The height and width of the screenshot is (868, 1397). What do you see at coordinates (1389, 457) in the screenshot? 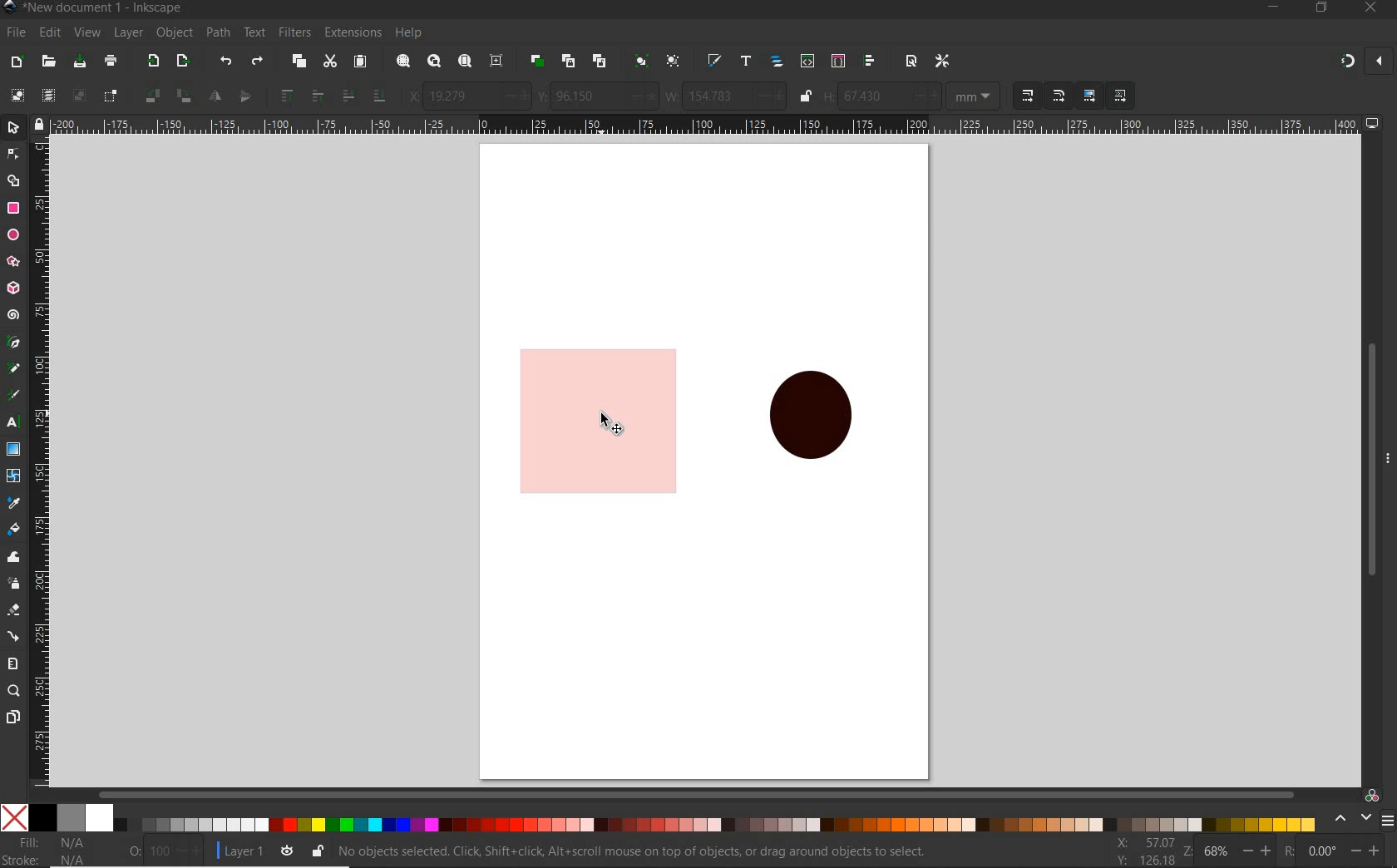
I see `hide` at bounding box center [1389, 457].